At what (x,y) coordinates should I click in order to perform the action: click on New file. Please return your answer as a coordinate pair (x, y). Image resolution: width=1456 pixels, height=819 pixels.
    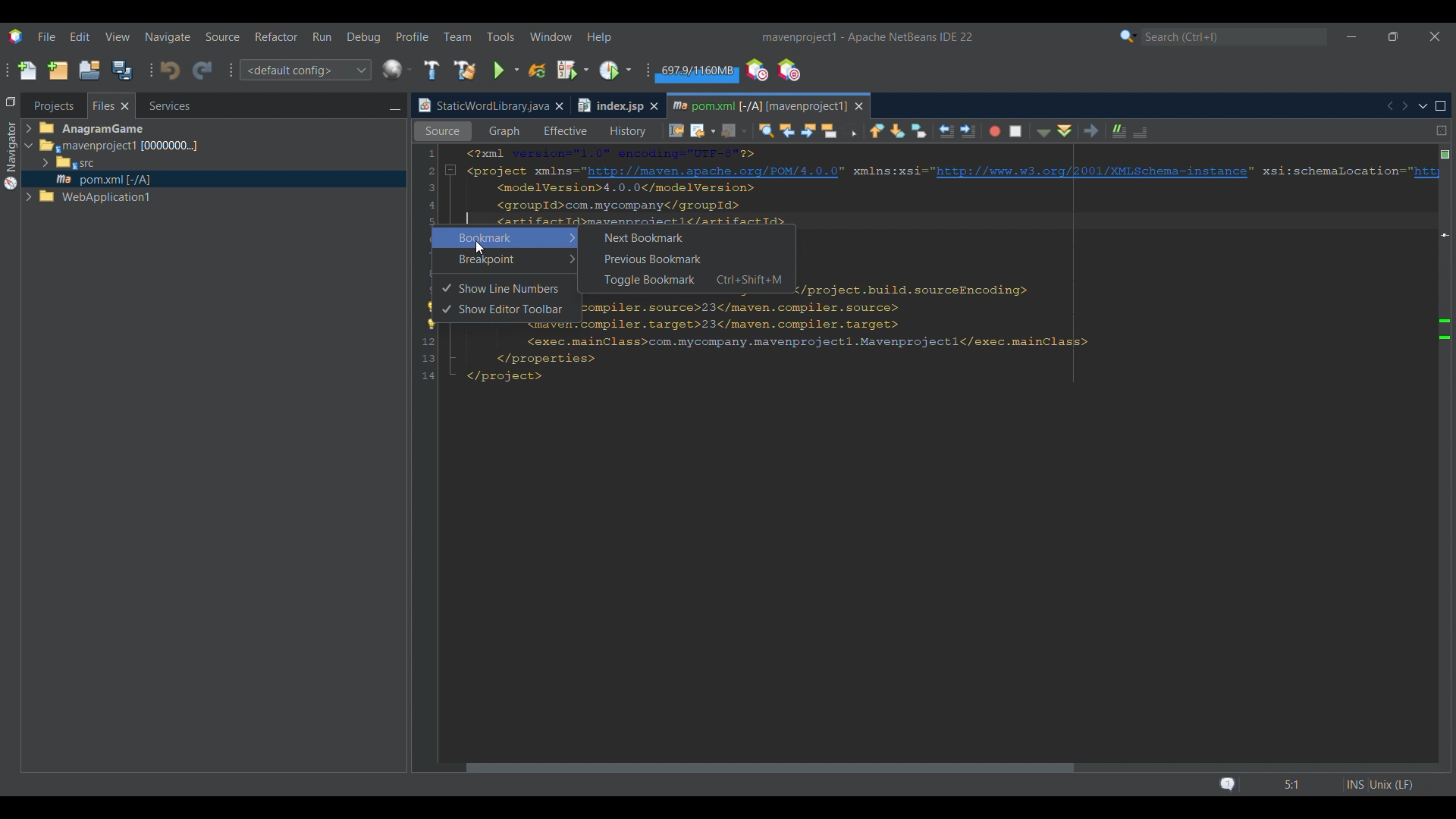
    Looking at the image, I should click on (27, 71).